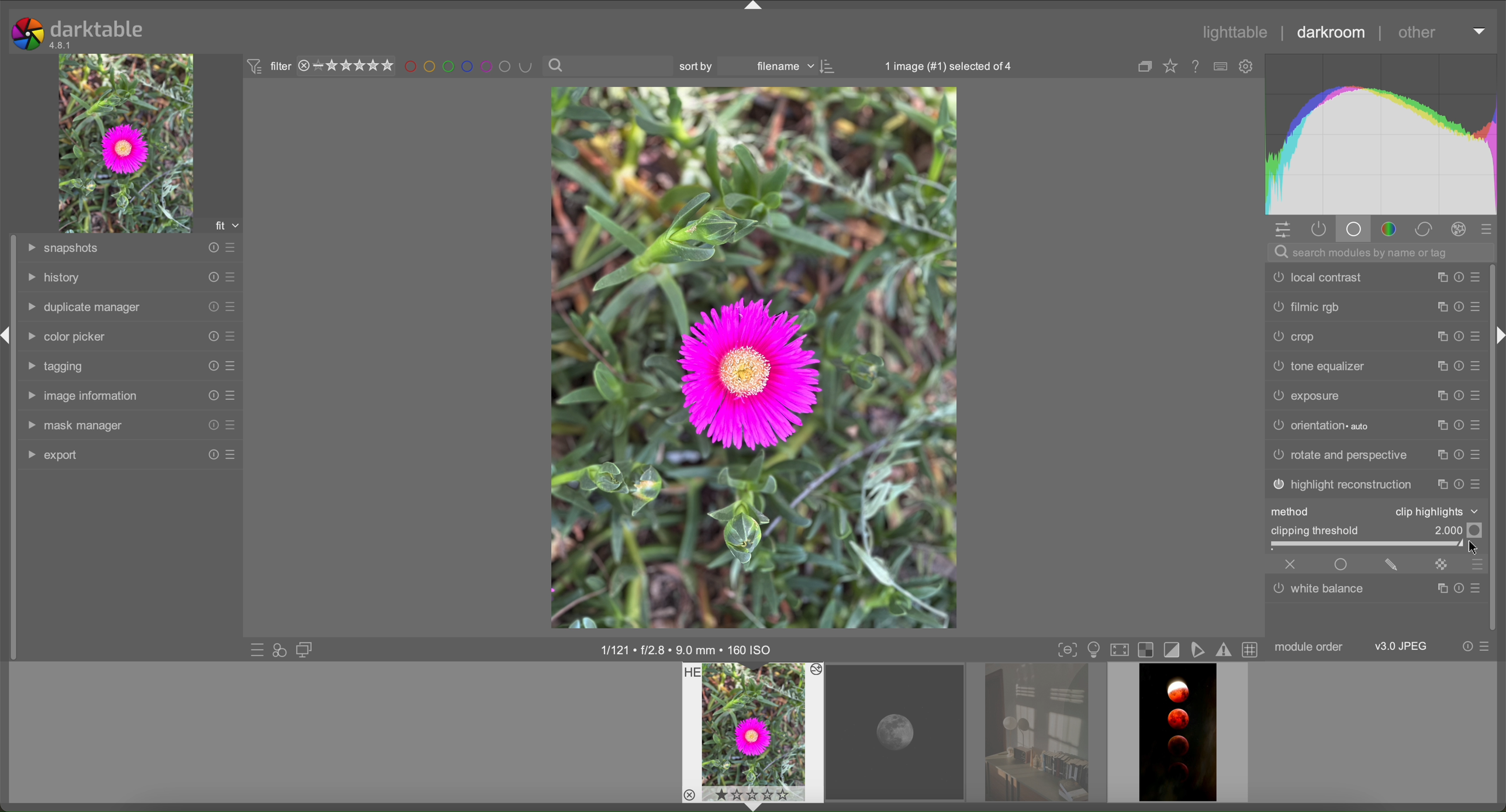  Describe the element at coordinates (1294, 512) in the screenshot. I see `method` at that location.